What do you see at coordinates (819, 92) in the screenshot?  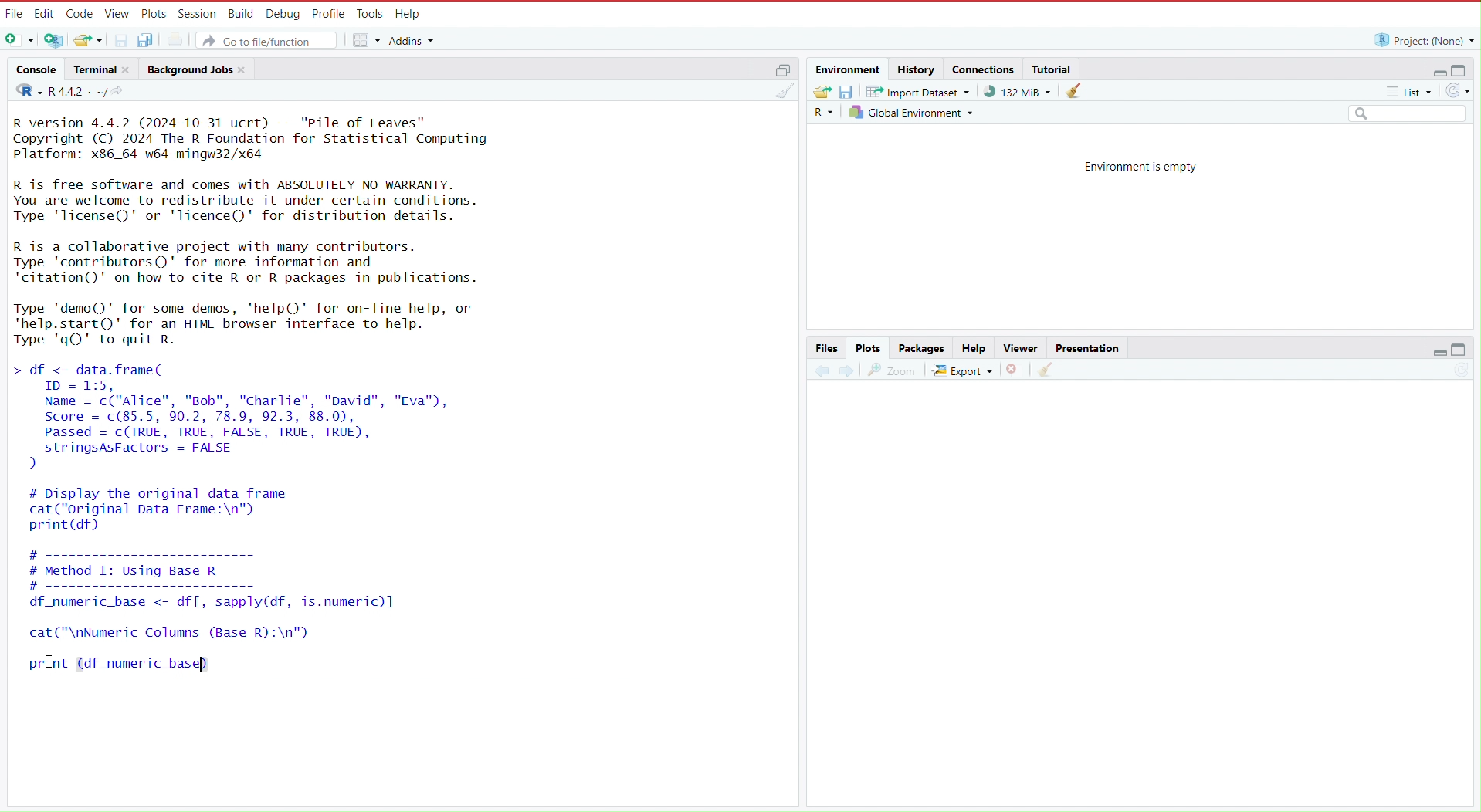 I see `Load workspace` at bounding box center [819, 92].